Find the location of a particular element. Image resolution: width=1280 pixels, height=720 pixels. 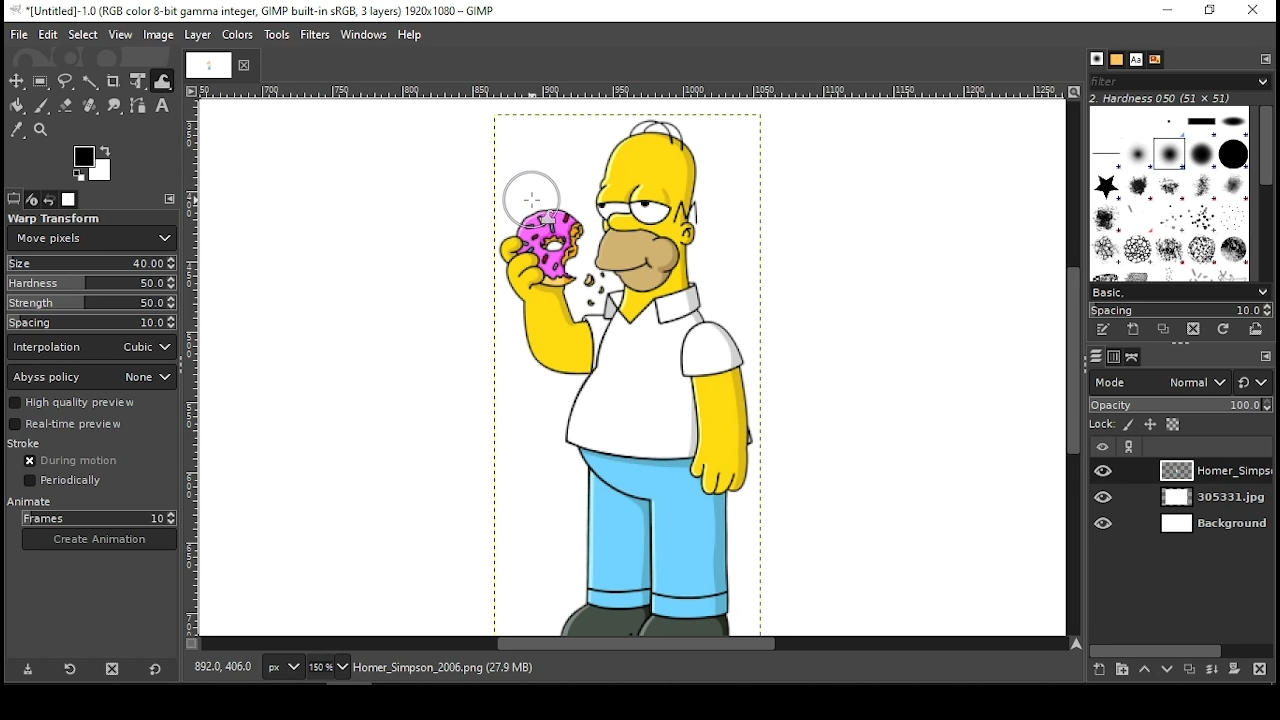

abyss policy is located at coordinates (92, 376).